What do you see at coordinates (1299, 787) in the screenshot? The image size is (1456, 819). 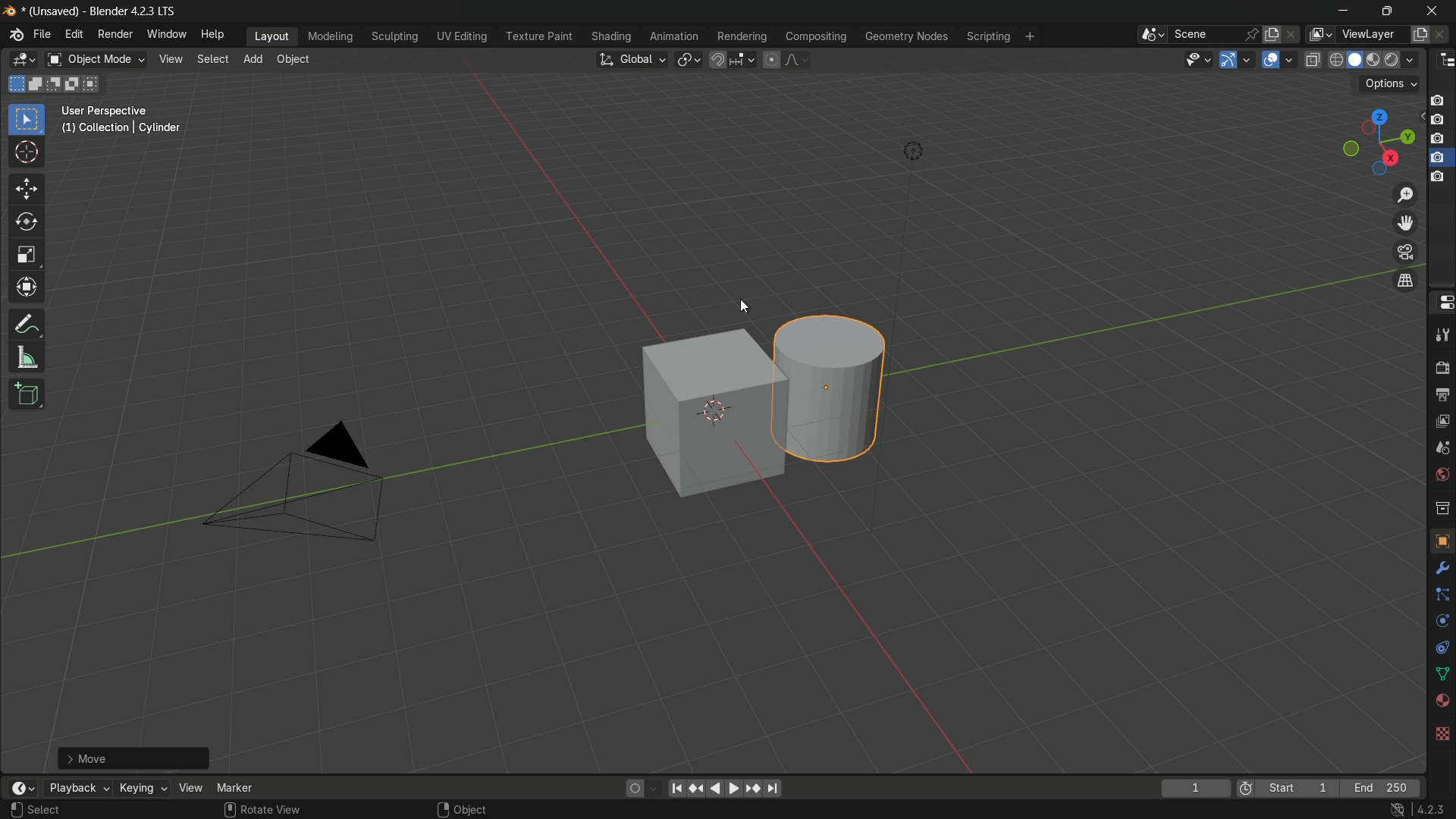 I see `start` at bounding box center [1299, 787].